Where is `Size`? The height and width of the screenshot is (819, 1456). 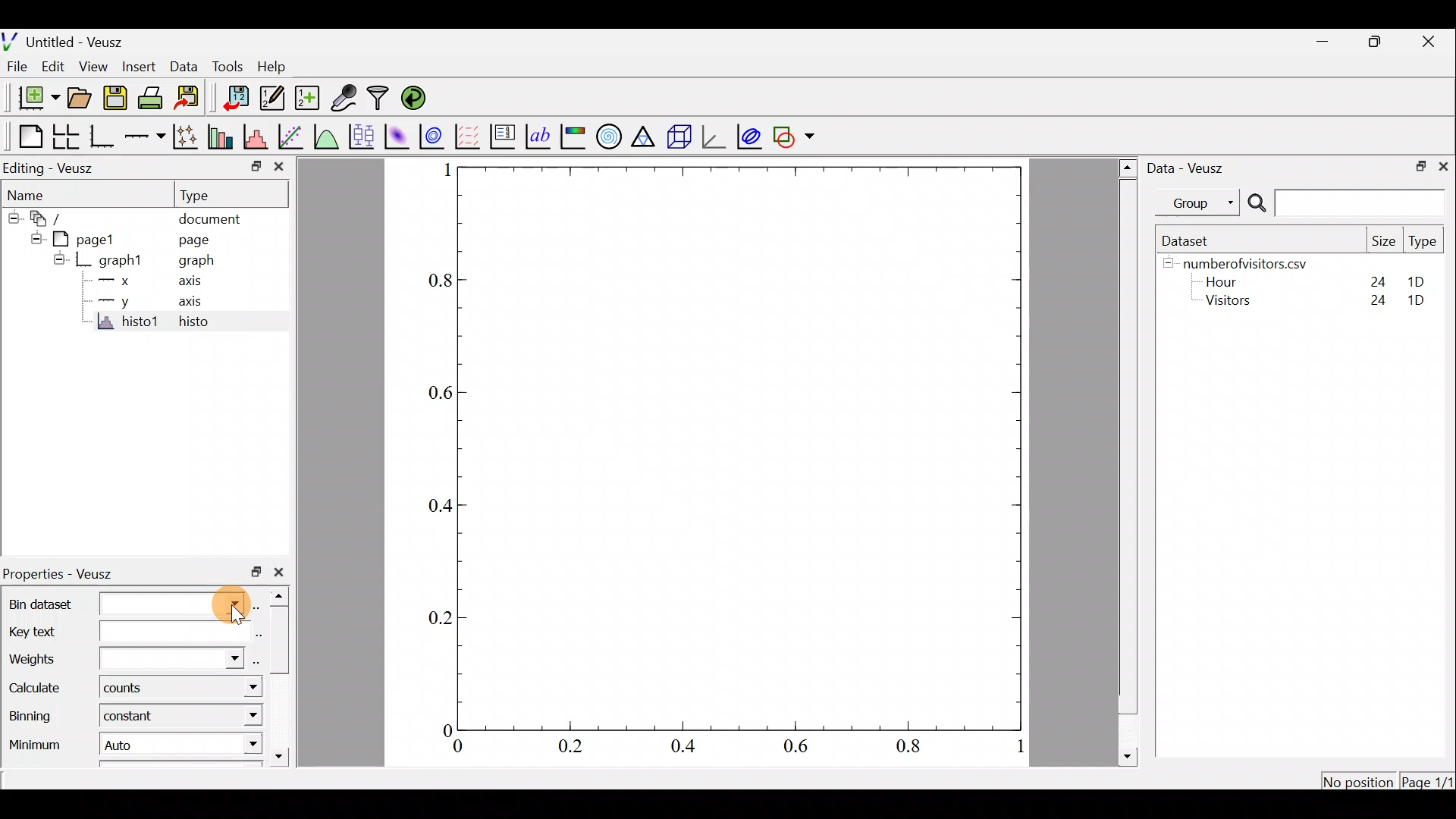 Size is located at coordinates (1385, 242).